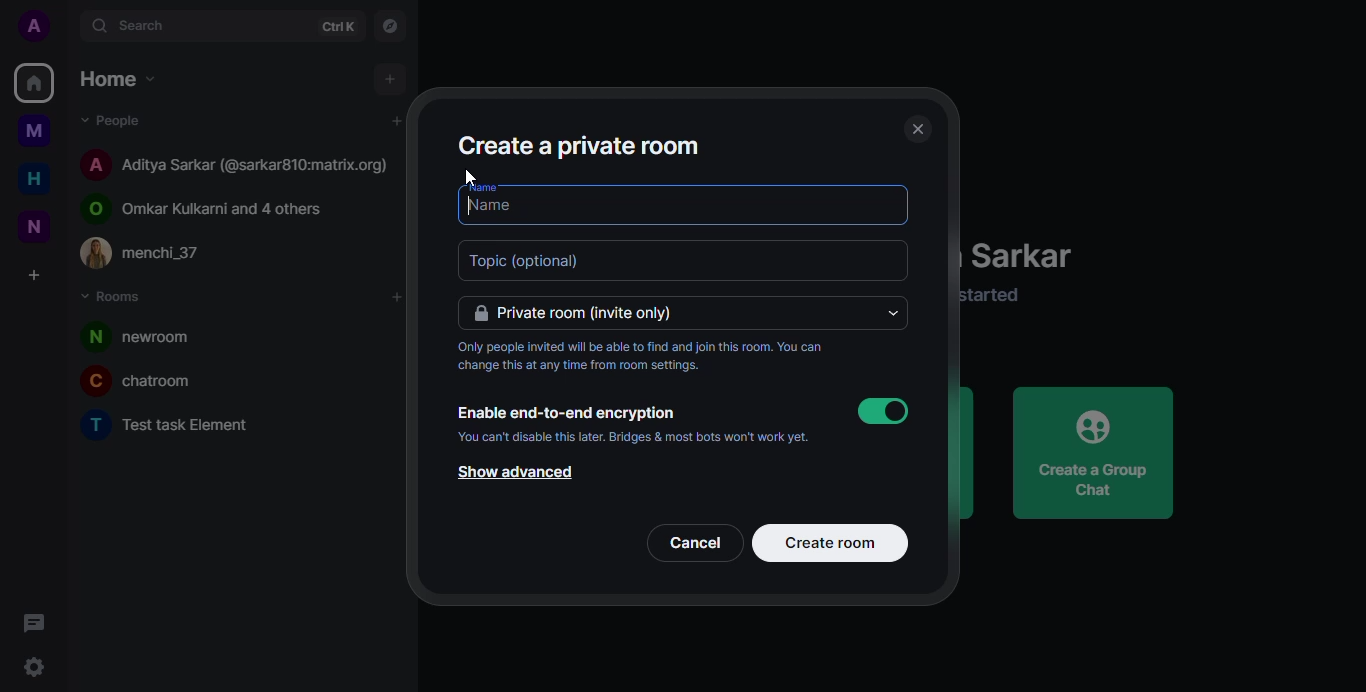  What do you see at coordinates (37, 178) in the screenshot?
I see `home` at bounding box center [37, 178].